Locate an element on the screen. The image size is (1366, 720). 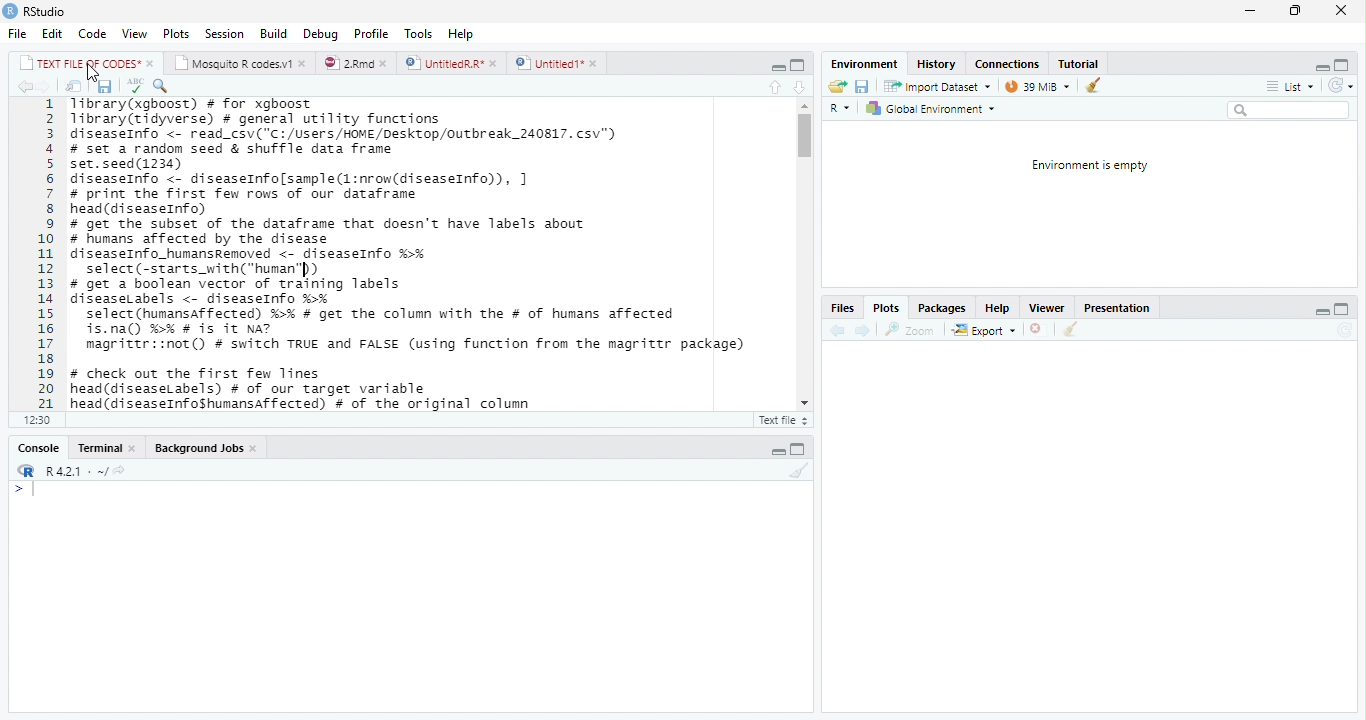
Help is located at coordinates (463, 36).